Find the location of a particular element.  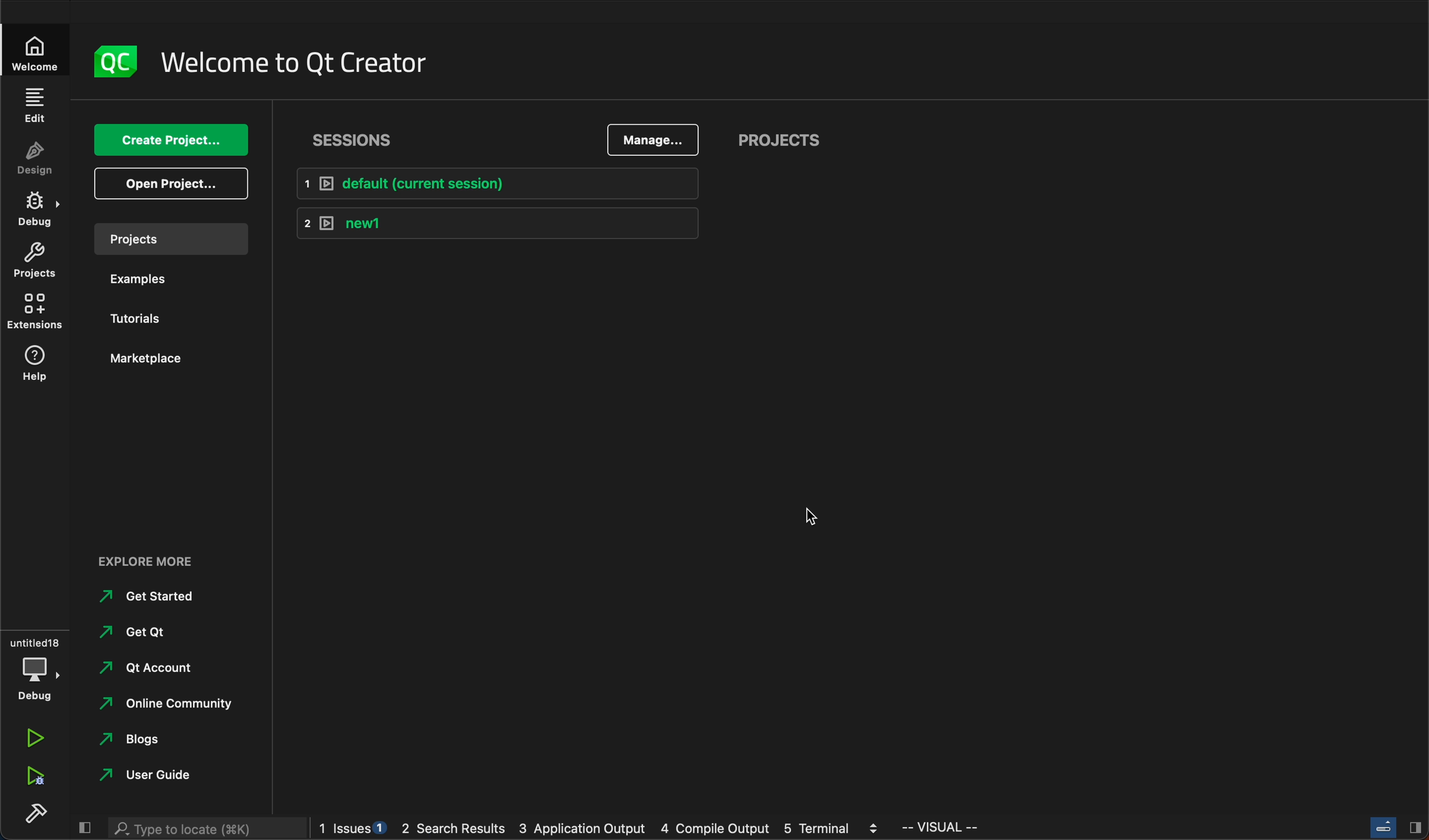

projects is located at coordinates (175, 236).